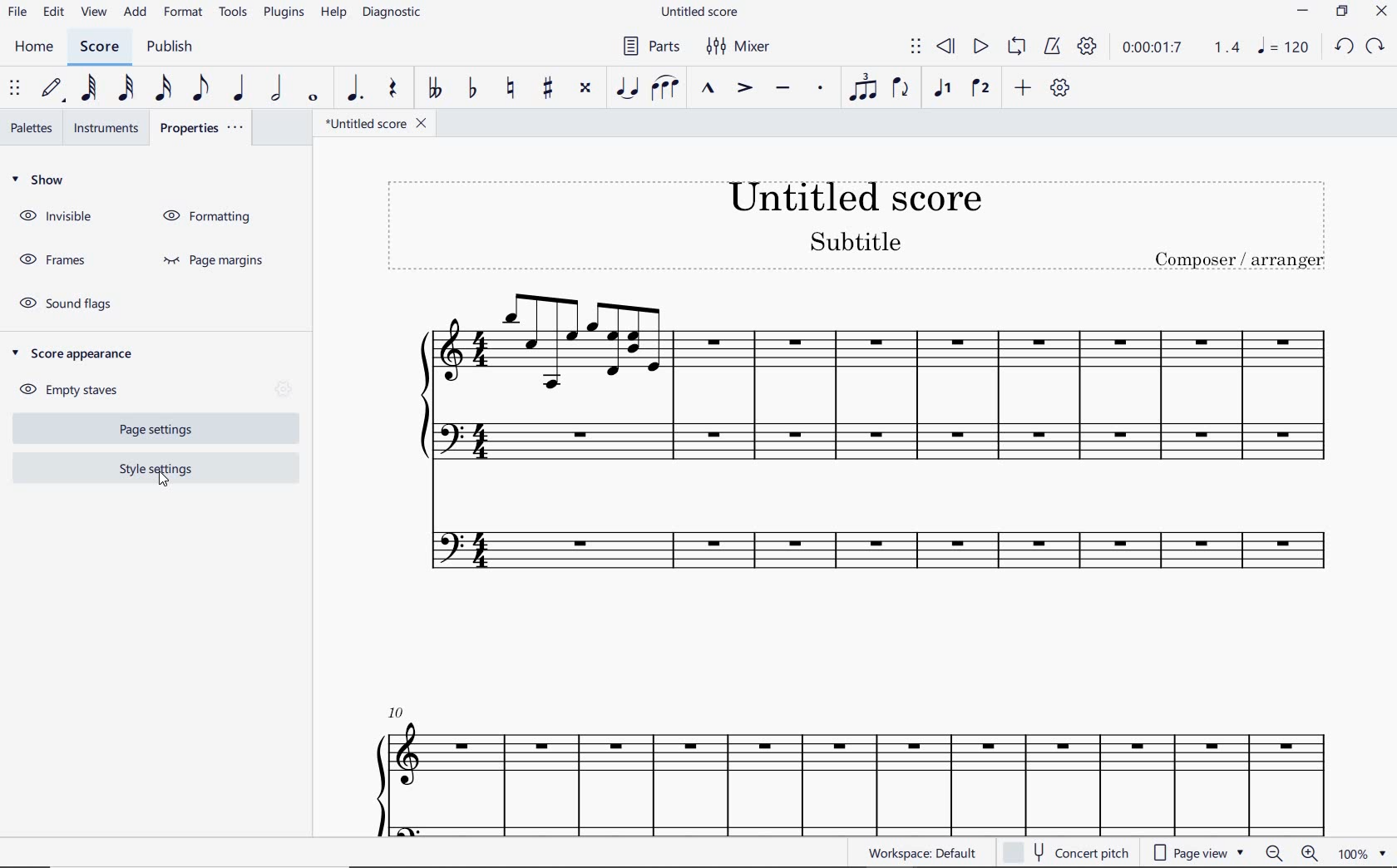 The height and width of the screenshot is (868, 1397). I want to click on LOOP PLAYBACK, so click(1016, 48).